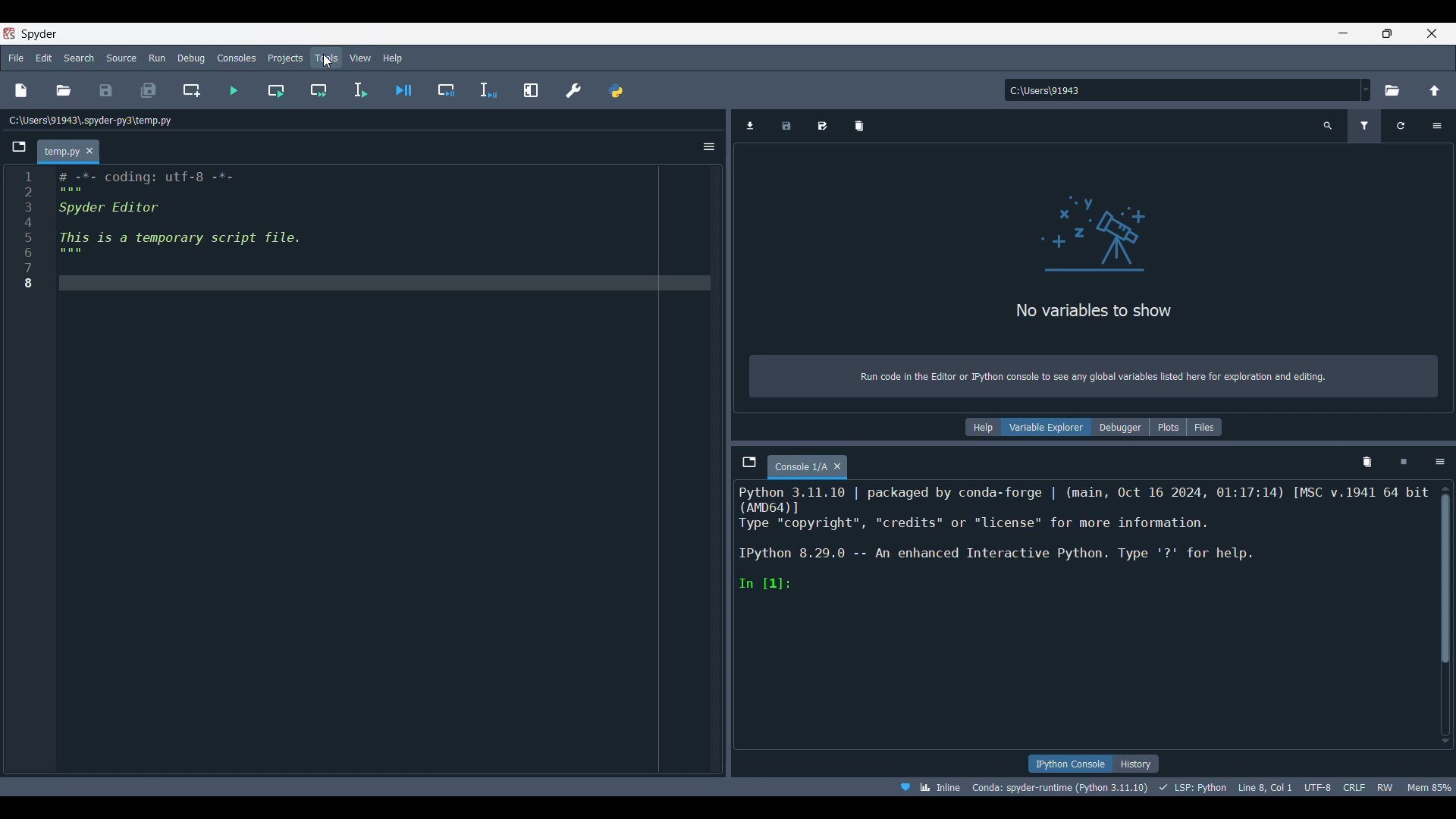 The image size is (1456, 819). I want to click on Search menu, so click(79, 58).